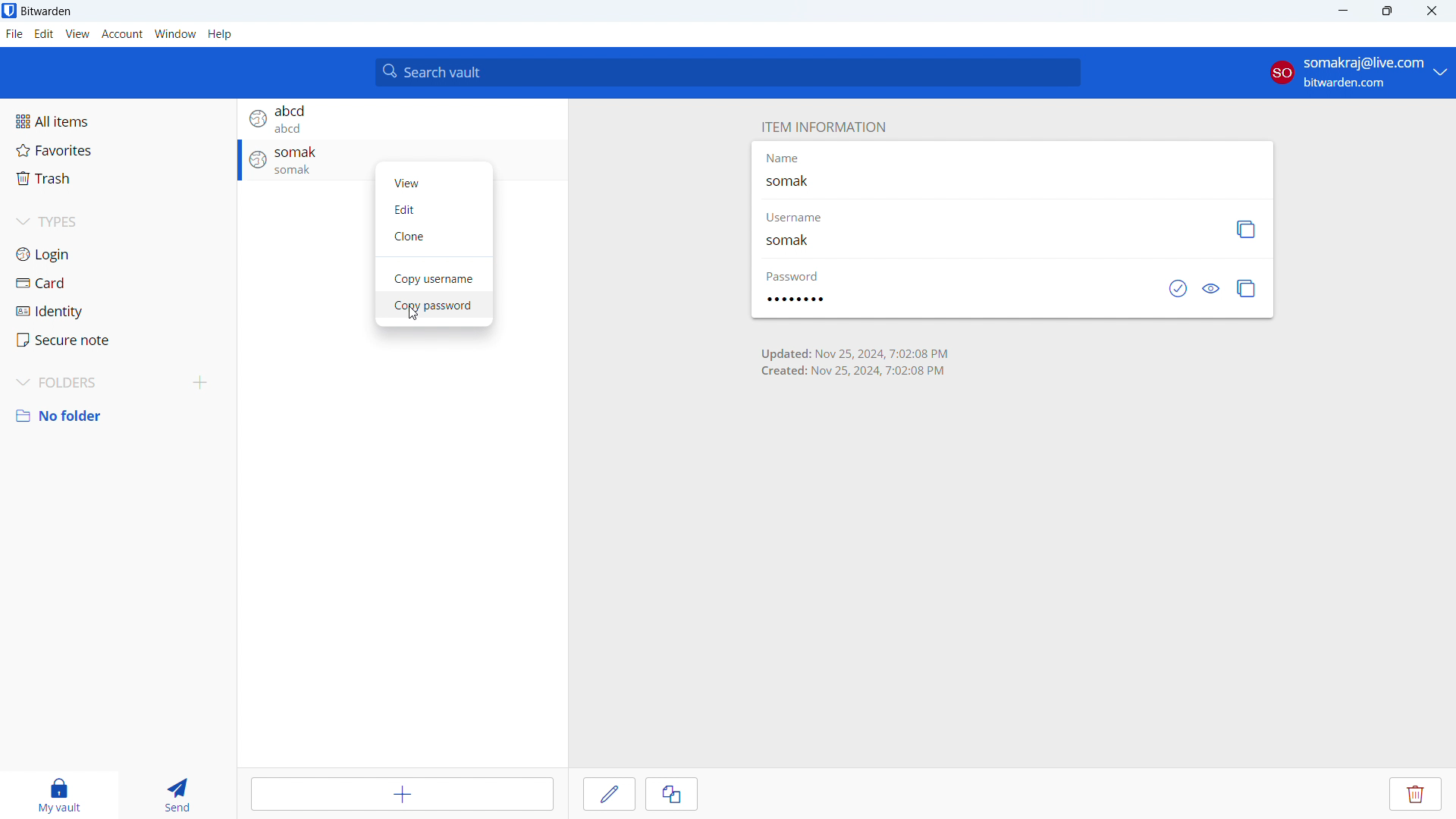  What do you see at coordinates (402, 158) in the screenshot?
I see `login entry with name somak` at bounding box center [402, 158].